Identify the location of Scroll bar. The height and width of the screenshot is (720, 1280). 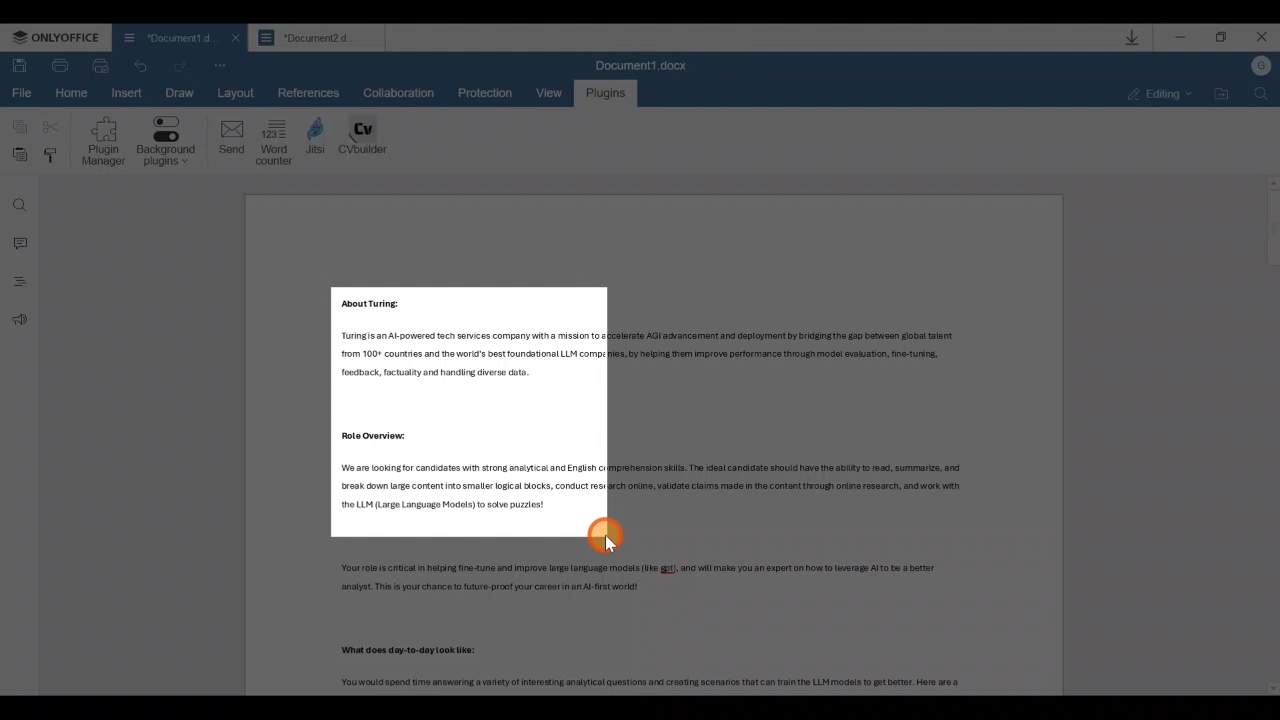
(1264, 439).